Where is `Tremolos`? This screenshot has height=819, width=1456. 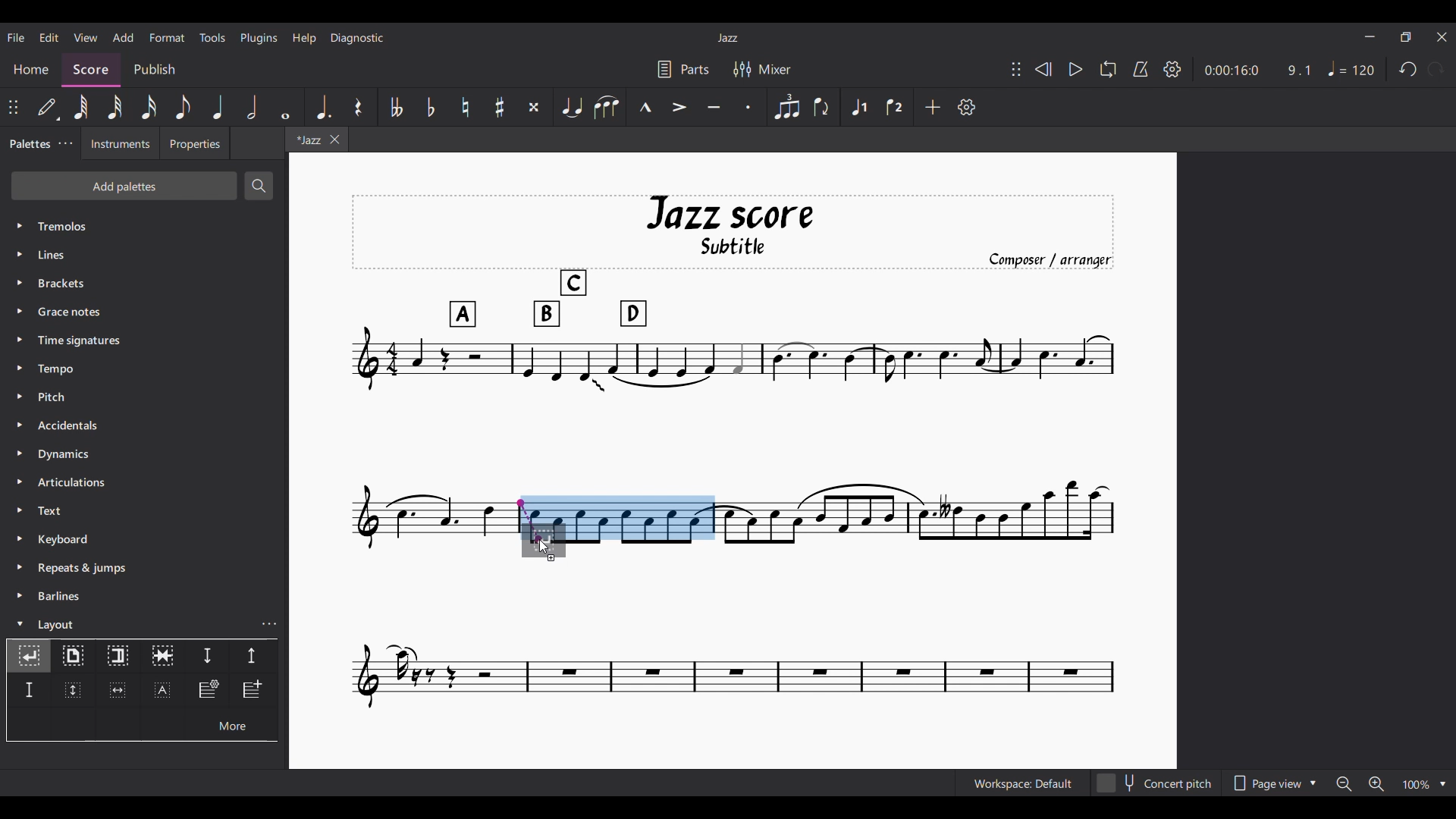
Tremolos is located at coordinates (145, 226).